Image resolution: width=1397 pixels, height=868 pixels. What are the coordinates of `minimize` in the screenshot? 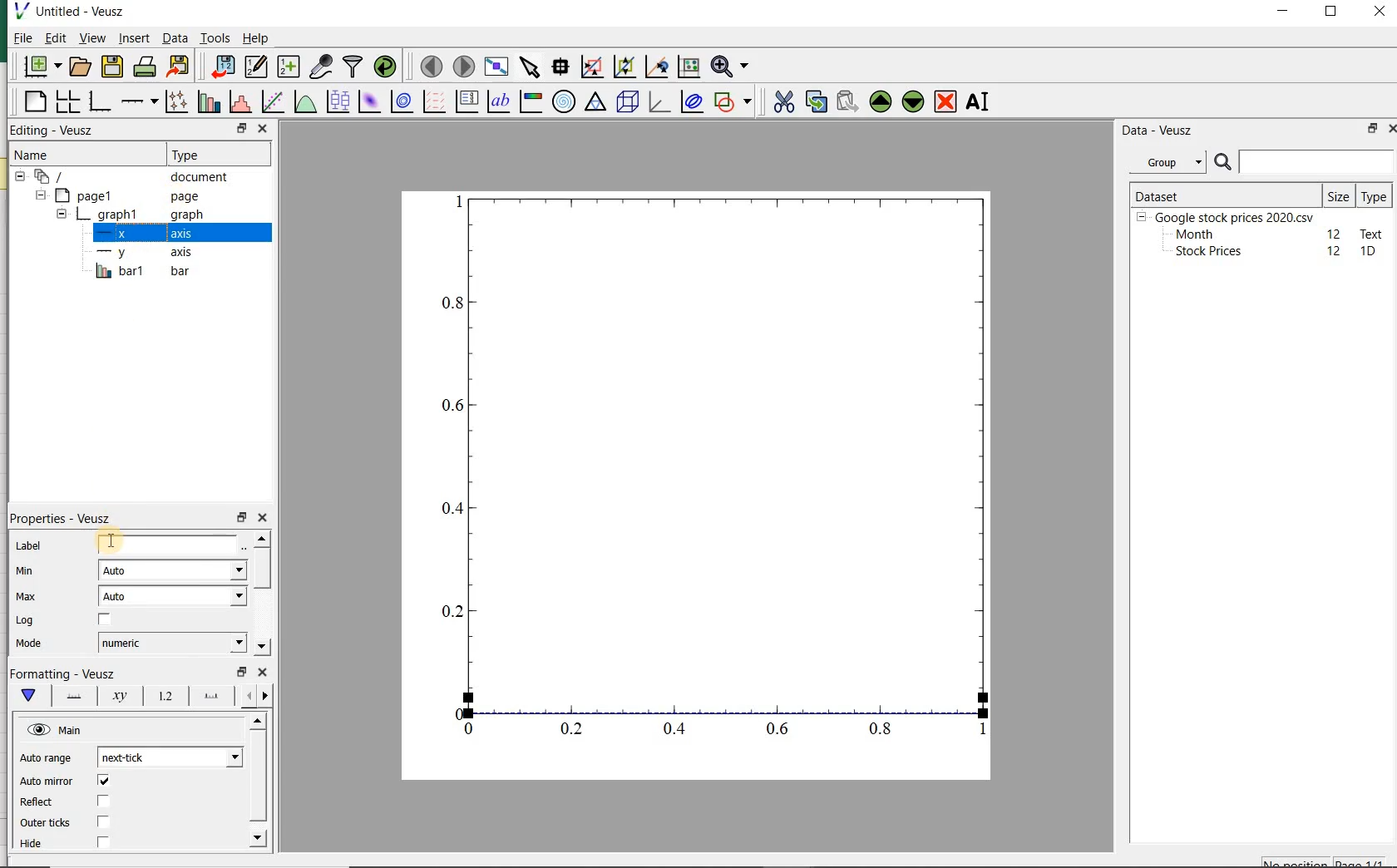 It's located at (1284, 12).